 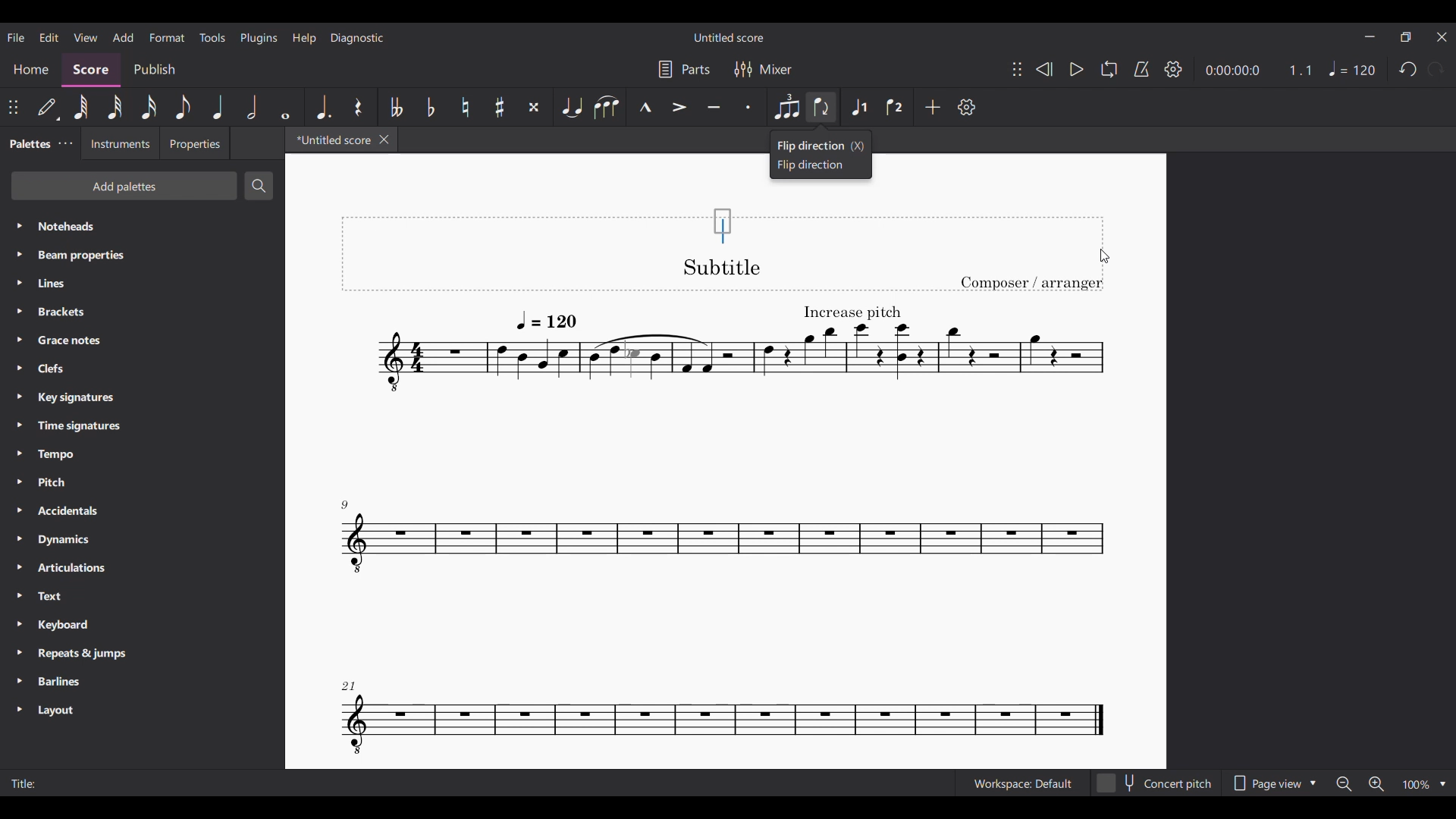 I want to click on Zoom in, so click(x=1376, y=784).